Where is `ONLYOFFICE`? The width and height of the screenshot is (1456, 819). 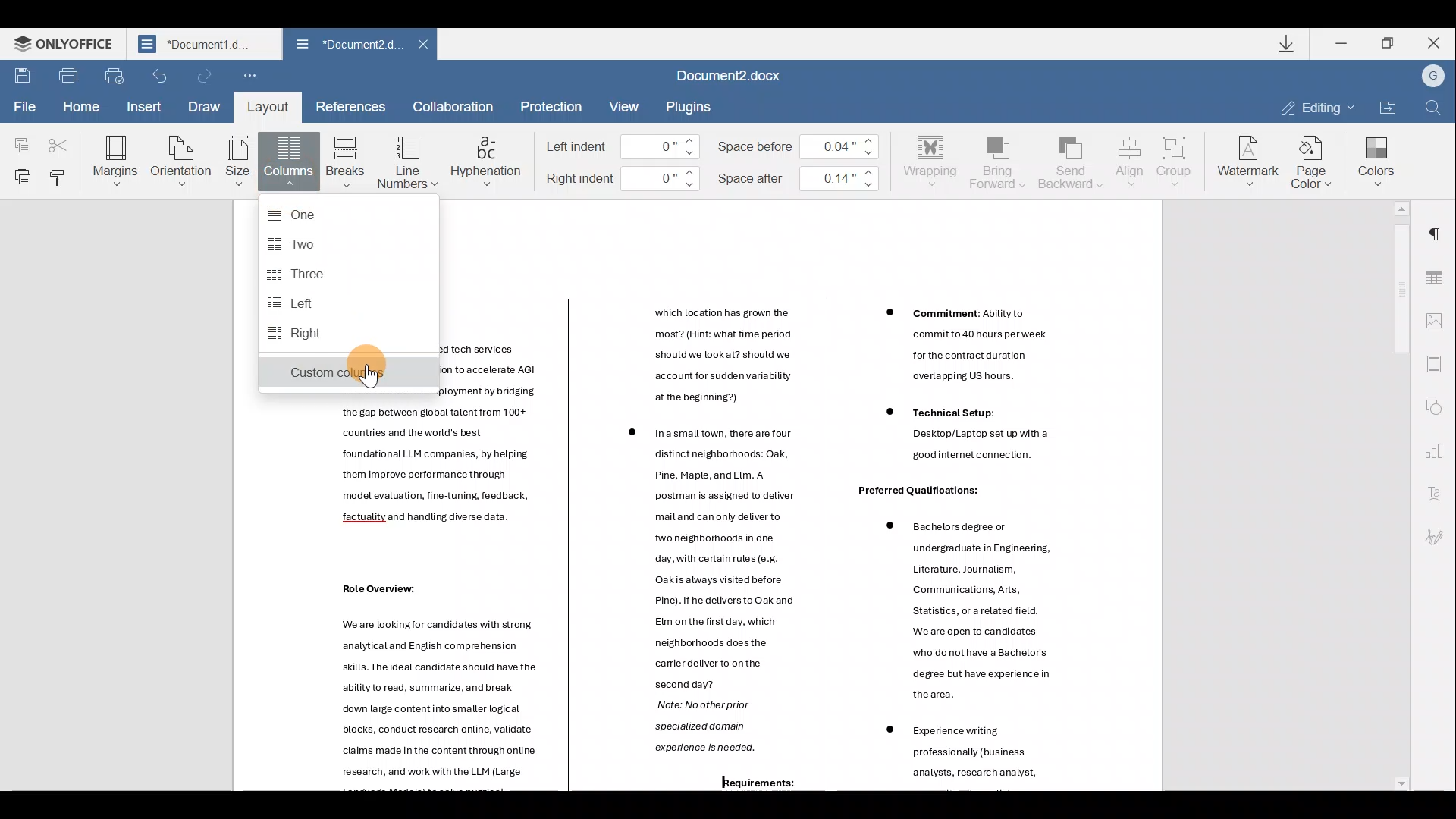
ONLYOFFICE is located at coordinates (67, 47).